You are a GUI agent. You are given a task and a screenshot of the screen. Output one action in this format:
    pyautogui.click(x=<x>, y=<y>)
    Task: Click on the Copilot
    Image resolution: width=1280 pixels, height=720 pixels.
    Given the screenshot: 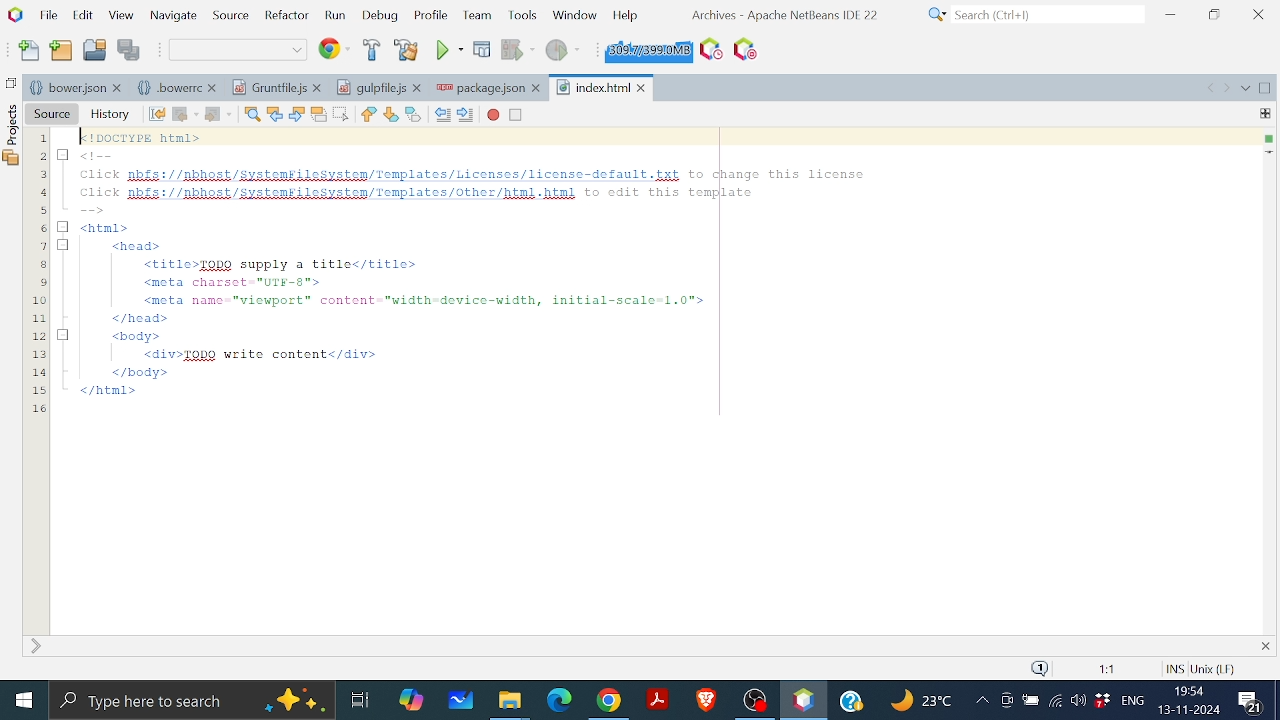 What is the action you would take?
    pyautogui.click(x=413, y=698)
    